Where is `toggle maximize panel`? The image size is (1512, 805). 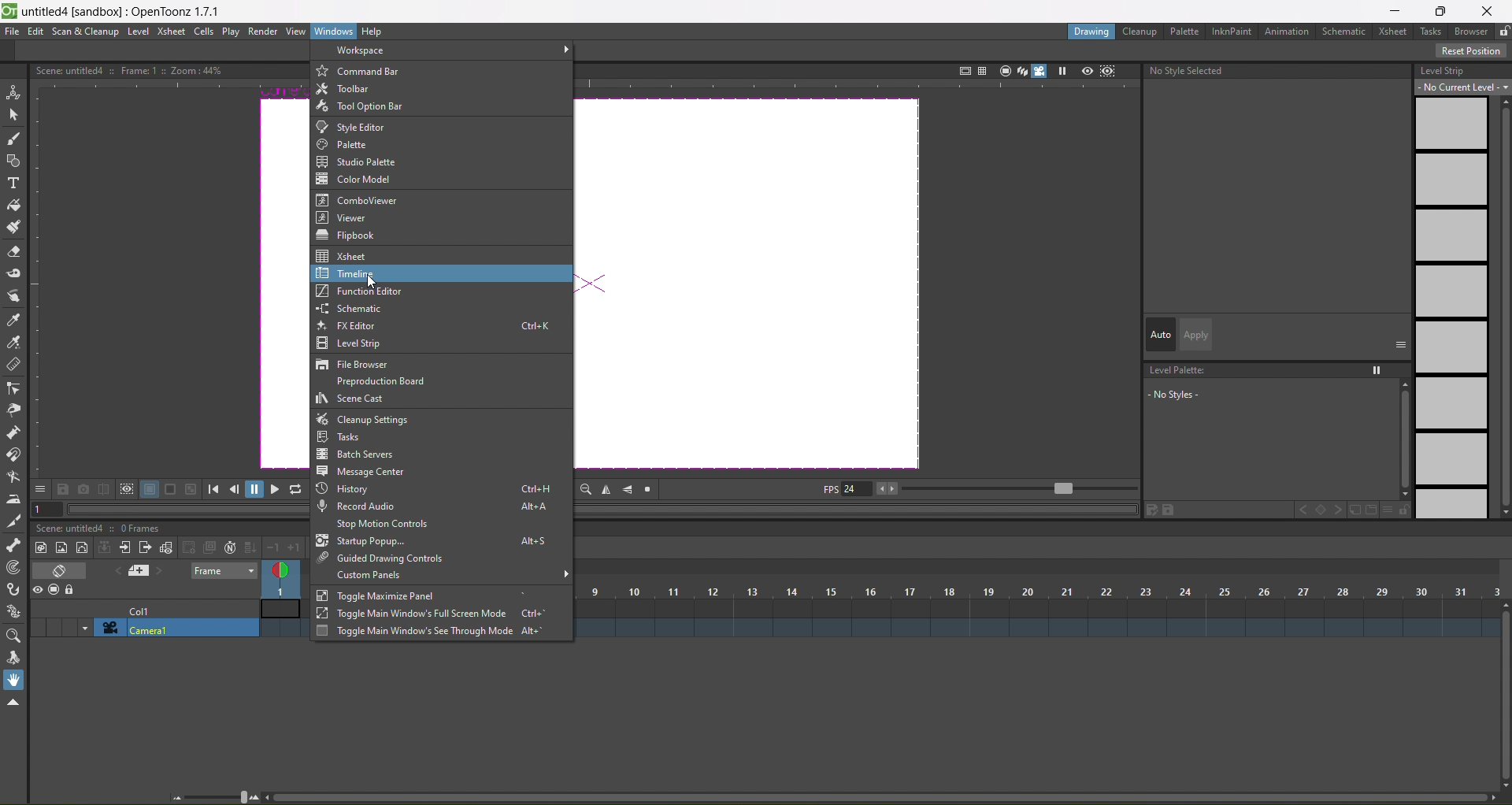 toggle maximize panel is located at coordinates (378, 597).